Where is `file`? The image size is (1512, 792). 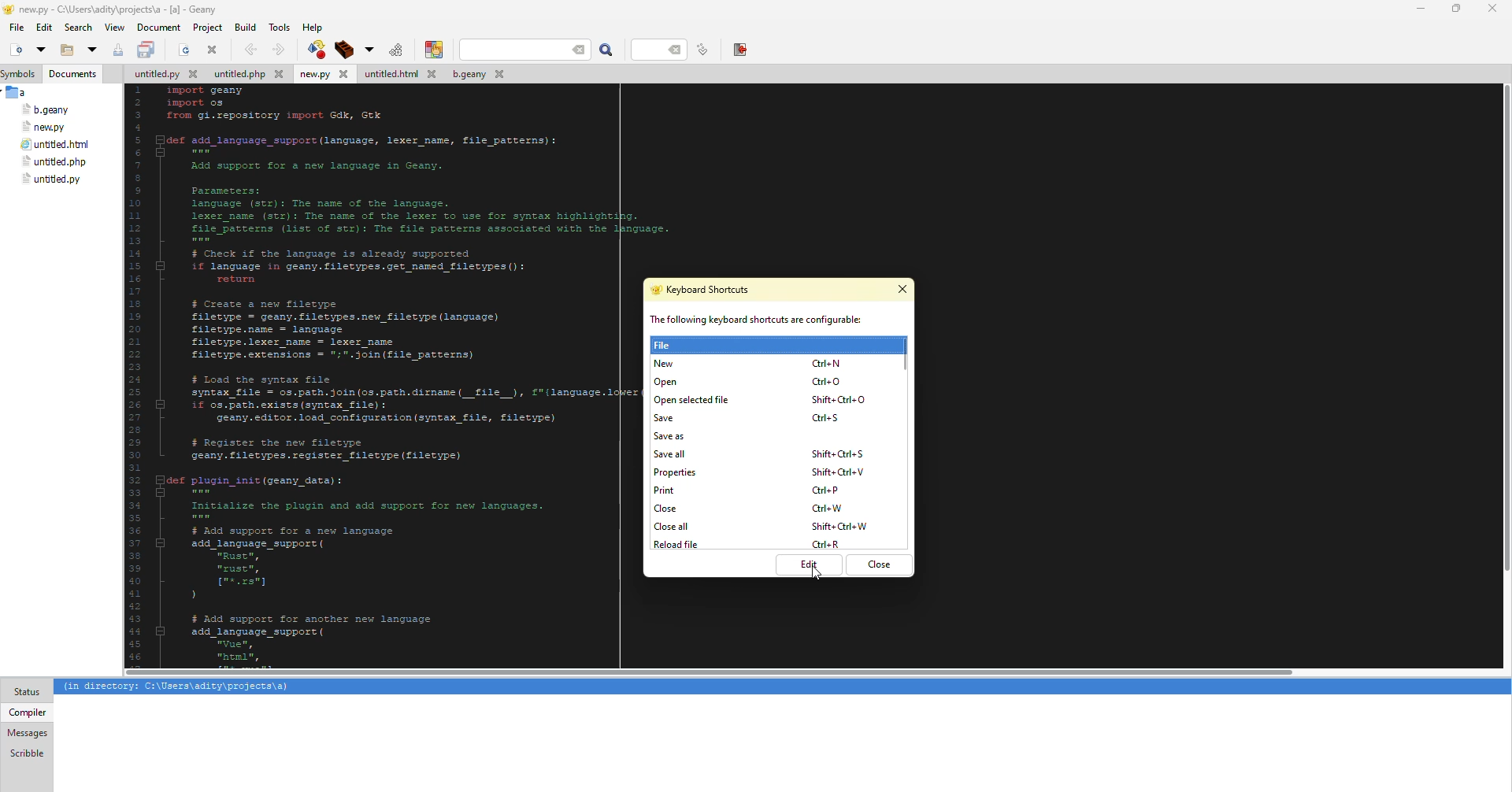 file is located at coordinates (665, 345).